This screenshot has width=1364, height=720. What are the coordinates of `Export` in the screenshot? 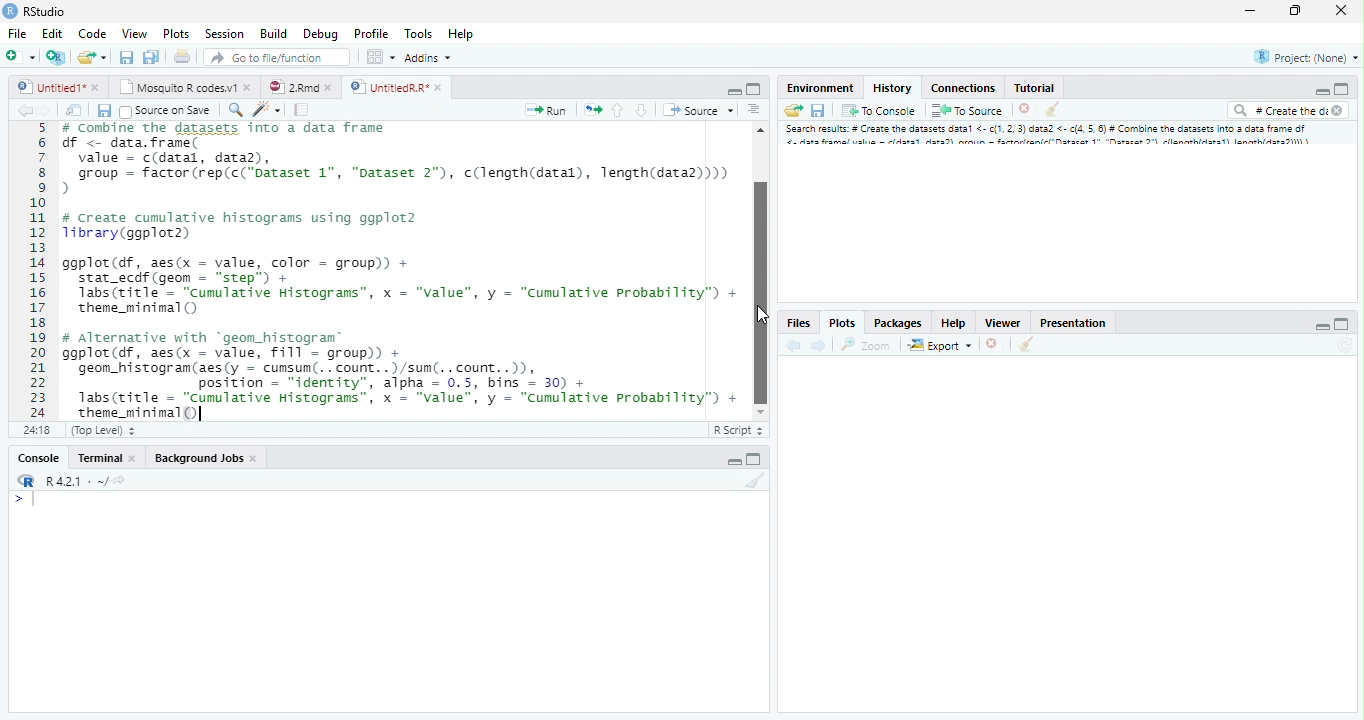 It's located at (940, 345).